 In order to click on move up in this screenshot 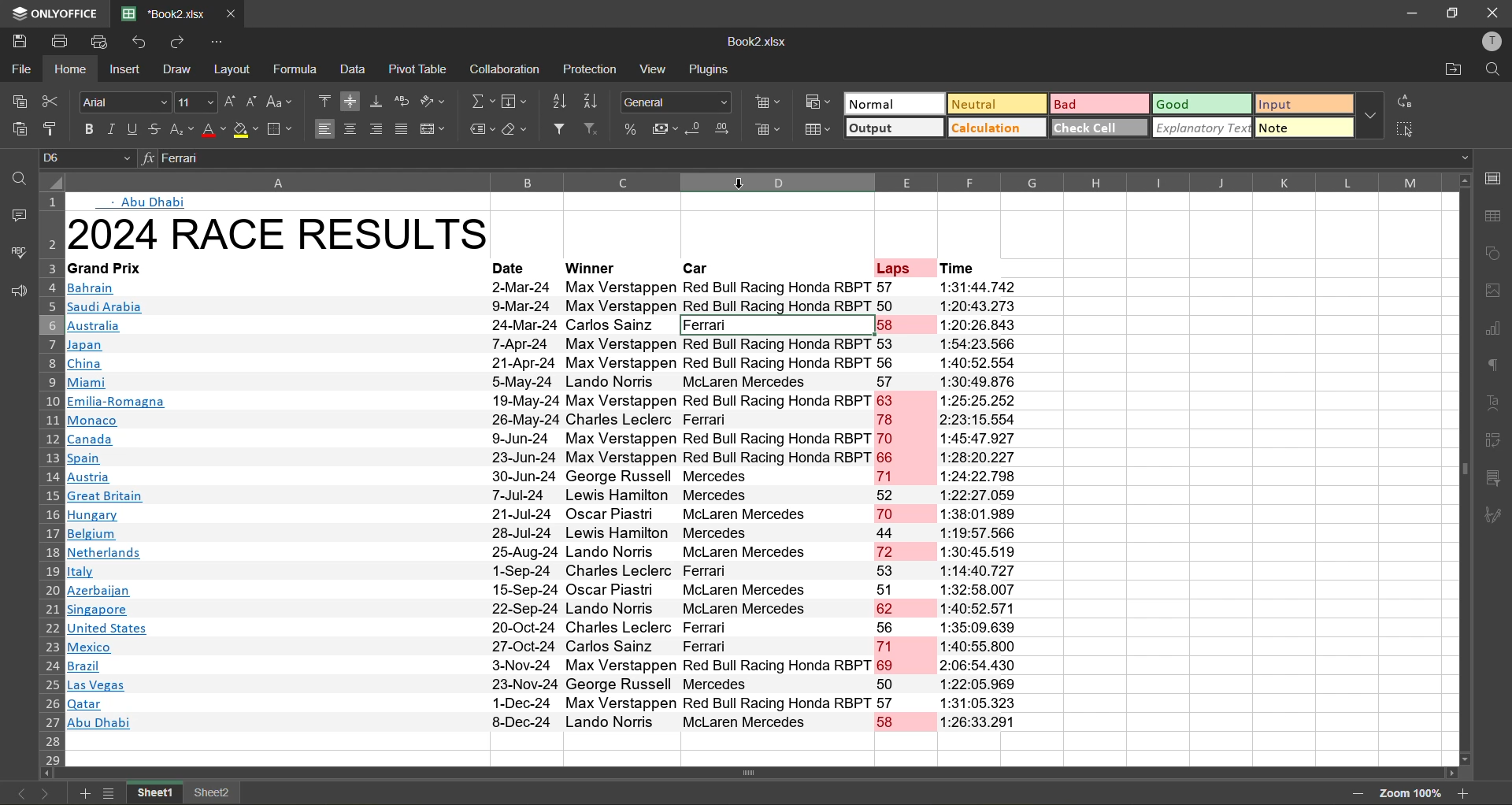, I will do `click(1466, 180)`.